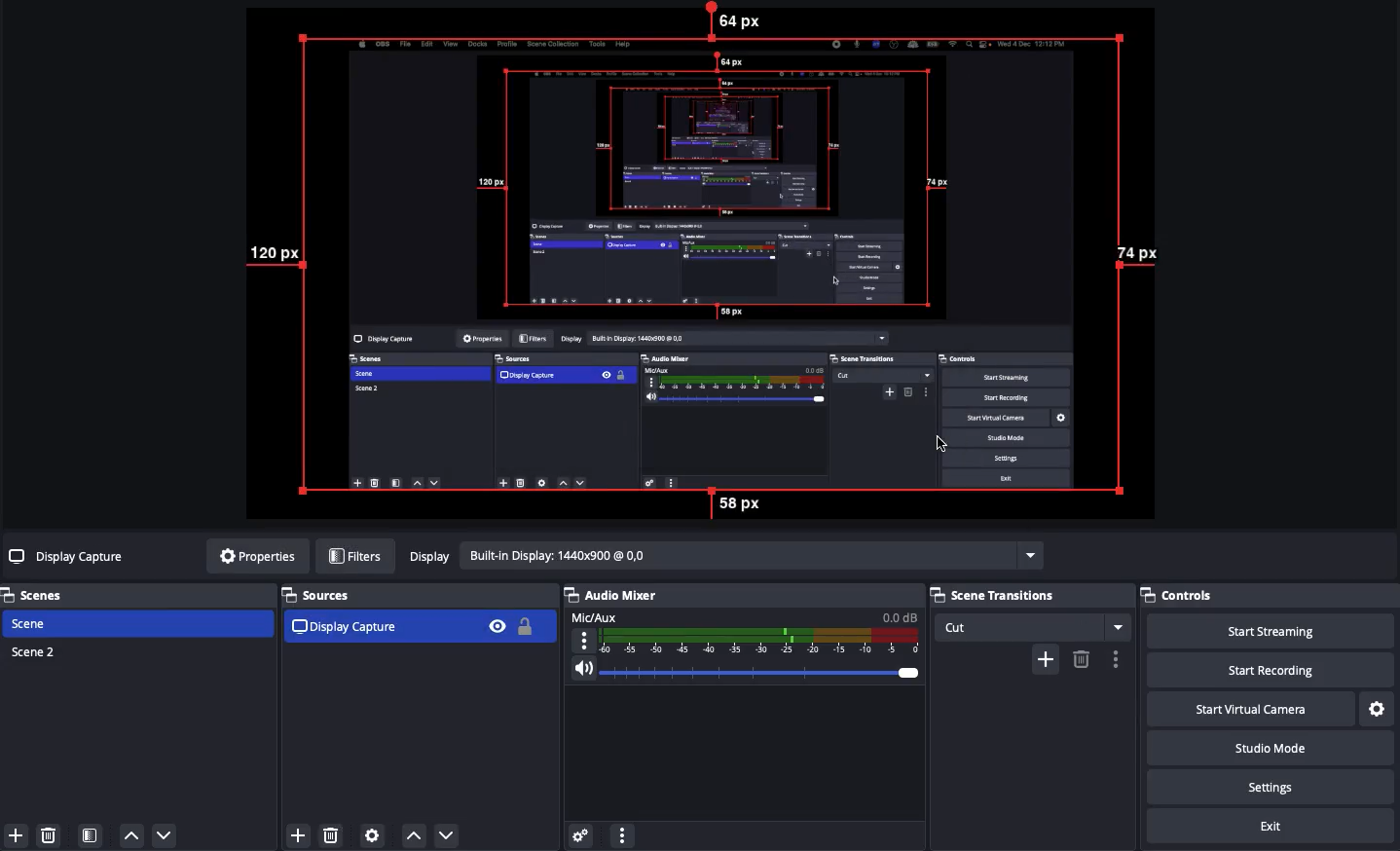 The height and width of the screenshot is (851, 1400). Describe the element at coordinates (1269, 708) in the screenshot. I see `Start virtual camera` at that location.